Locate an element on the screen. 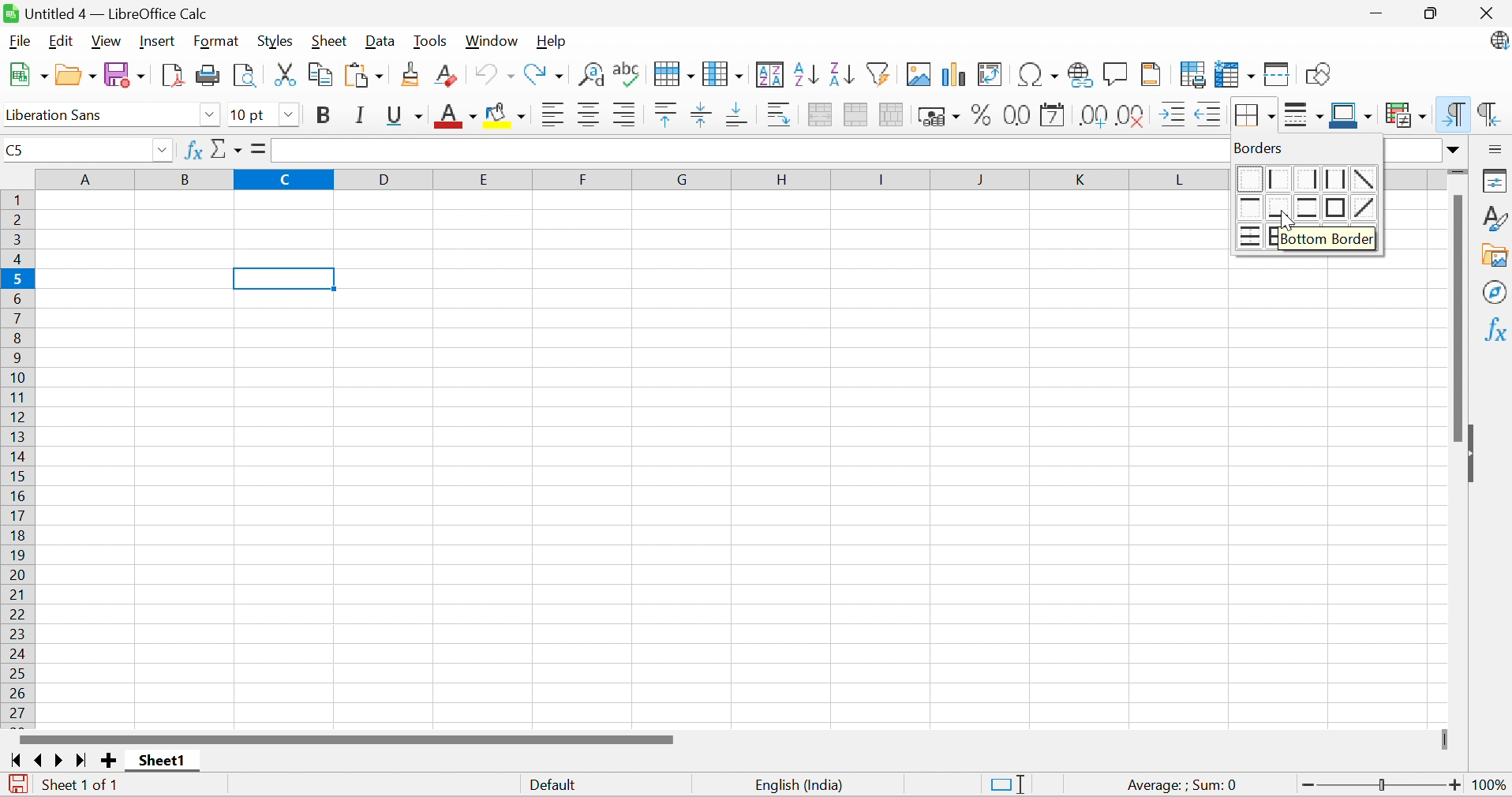  selected cell is located at coordinates (283, 279).